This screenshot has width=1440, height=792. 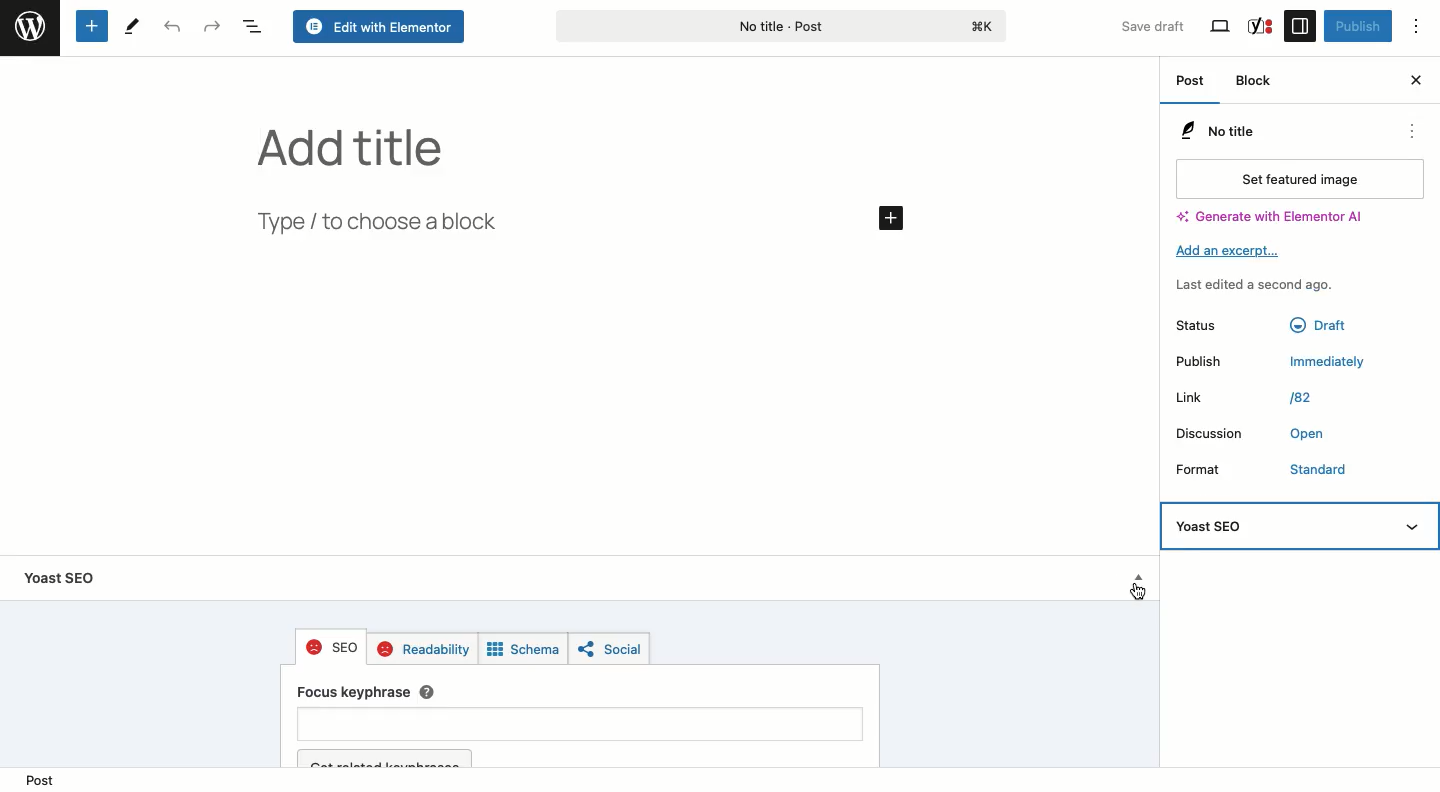 What do you see at coordinates (1356, 26) in the screenshot?
I see `Publish` at bounding box center [1356, 26].